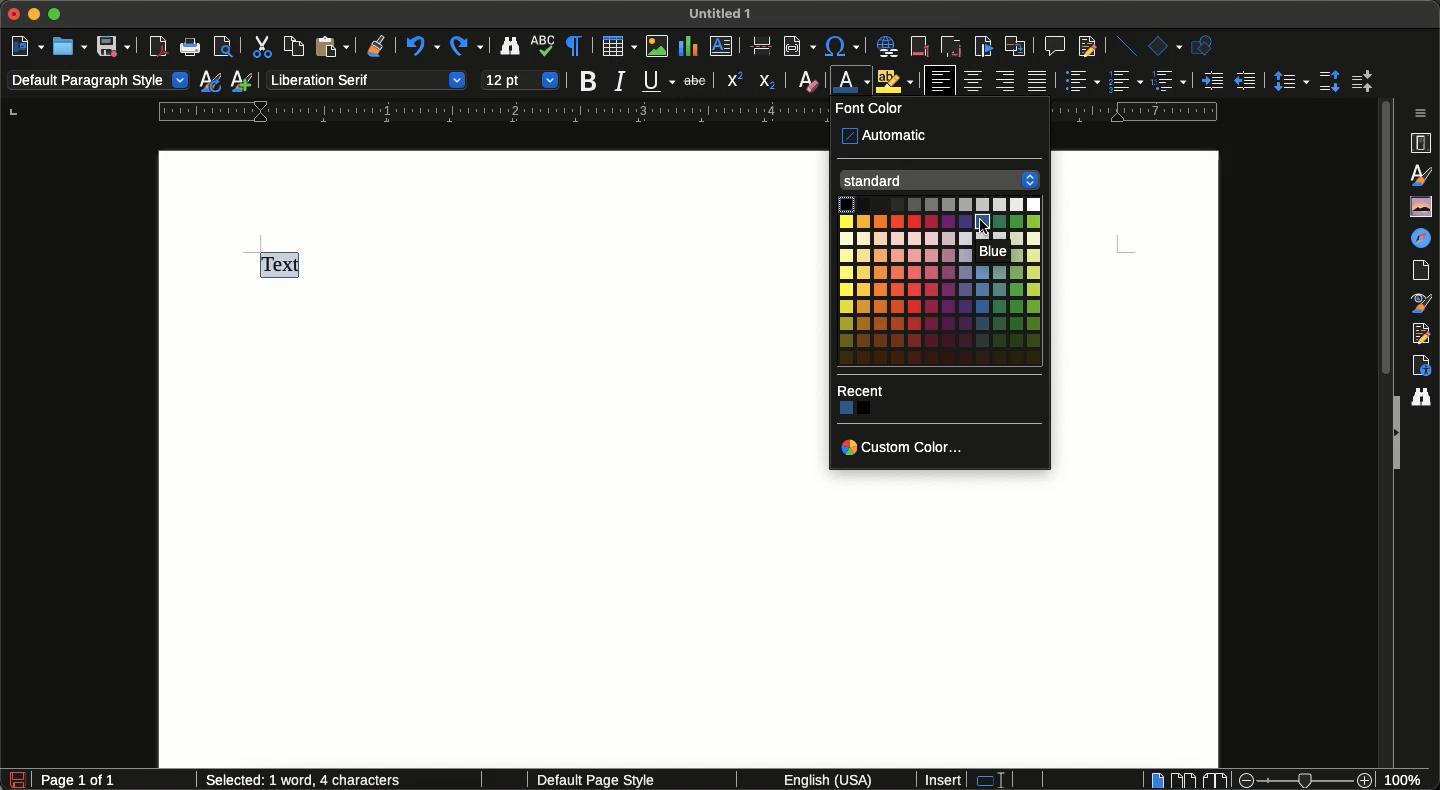  Describe the element at coordinates (798, 45) in the screenshot. I see `Insert field` at that location.